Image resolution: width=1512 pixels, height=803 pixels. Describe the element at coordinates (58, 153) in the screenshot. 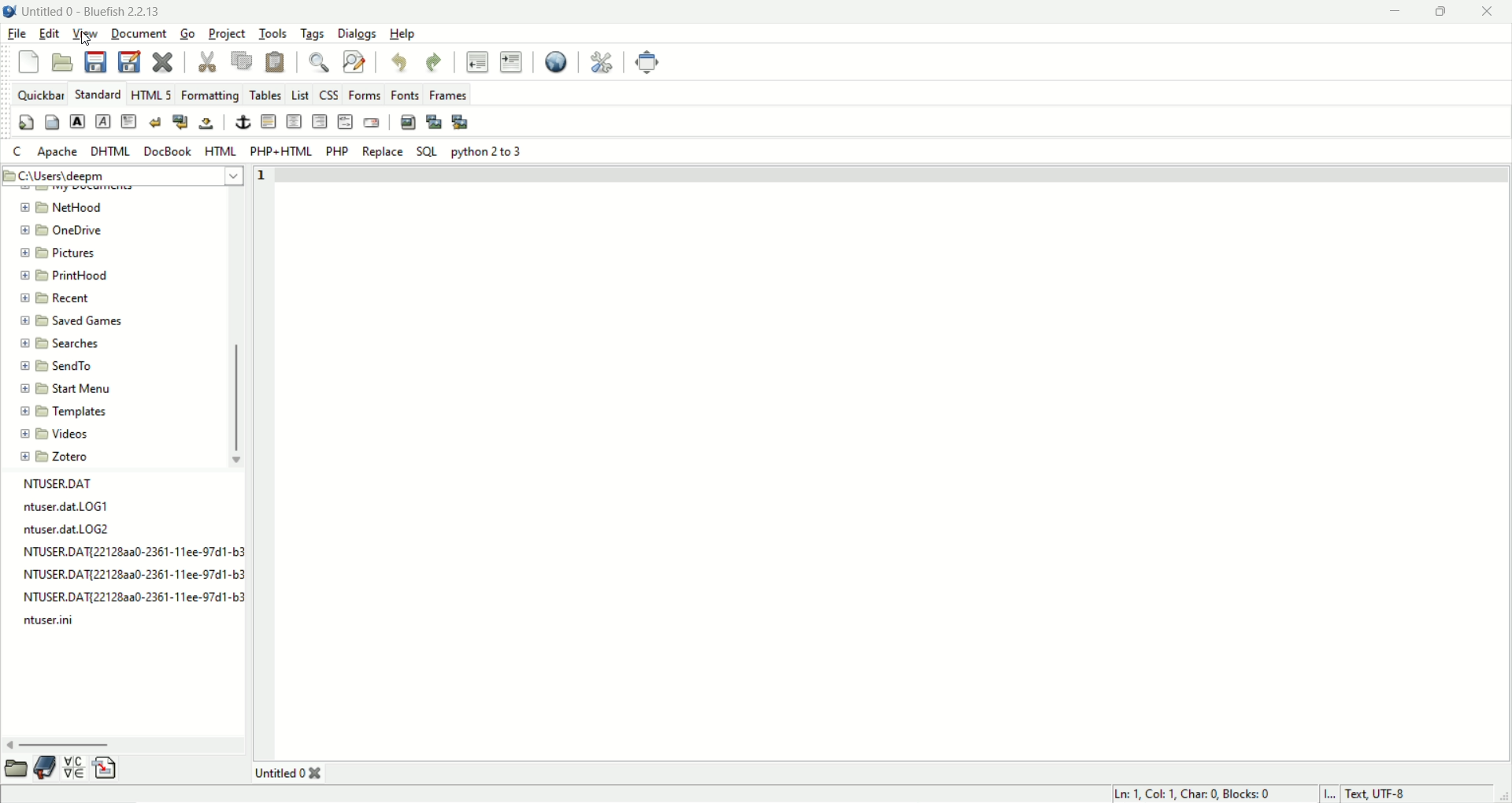

I see `apache` at that location.